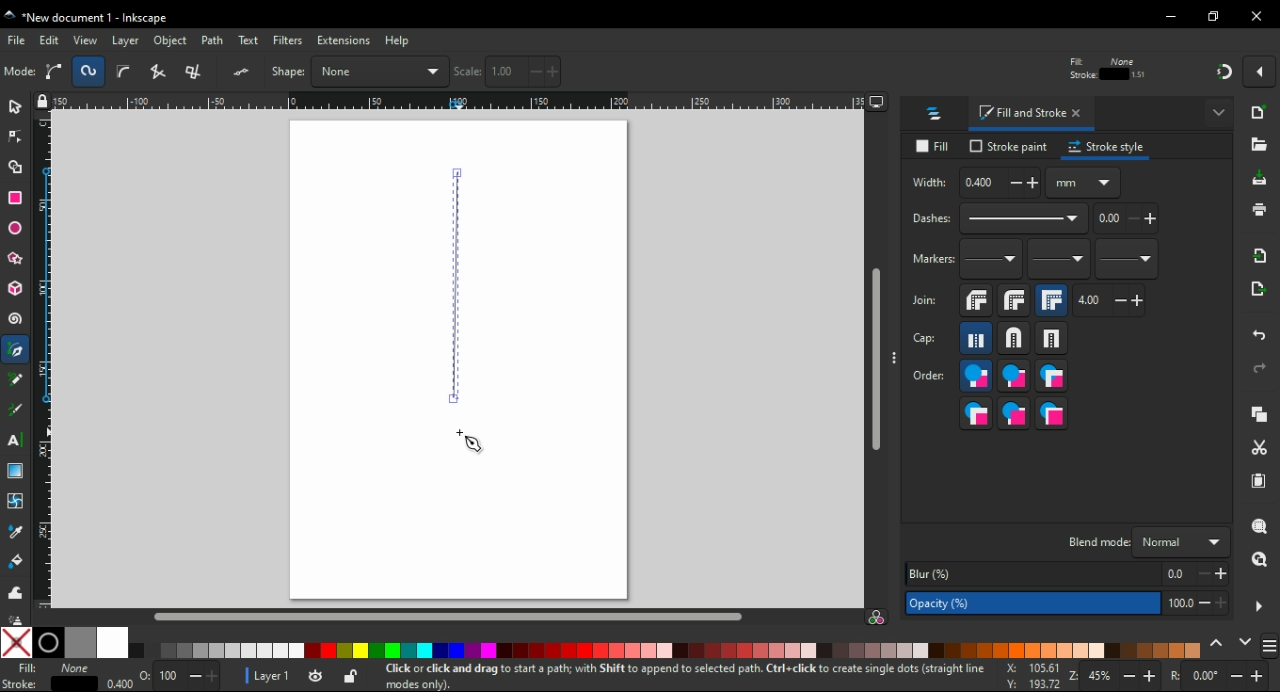 The height and width of the screenshot is (692, 1280). What do you see at coordinates (1009, 146) in the screenshot?
I see `stroke paint` at bounding box center [1009, 146].